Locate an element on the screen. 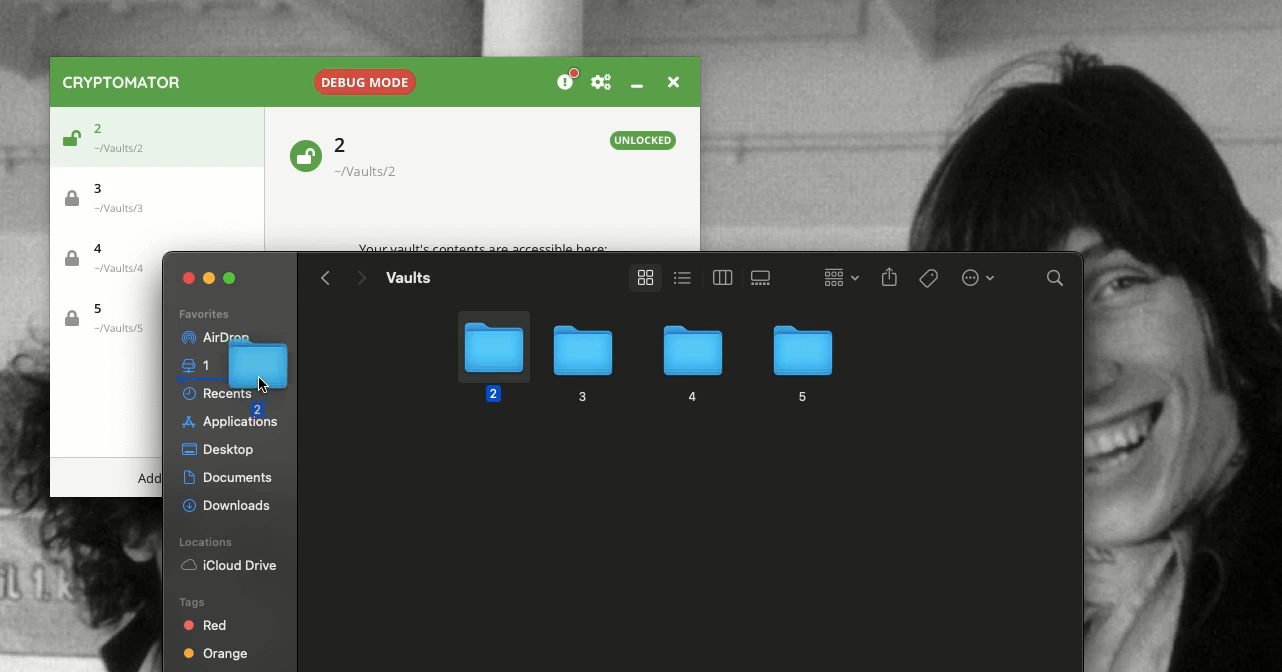 Image resolution: width=1282 pixels, height=672 pixels. Vault 2 is located at coordinates (377, 157).